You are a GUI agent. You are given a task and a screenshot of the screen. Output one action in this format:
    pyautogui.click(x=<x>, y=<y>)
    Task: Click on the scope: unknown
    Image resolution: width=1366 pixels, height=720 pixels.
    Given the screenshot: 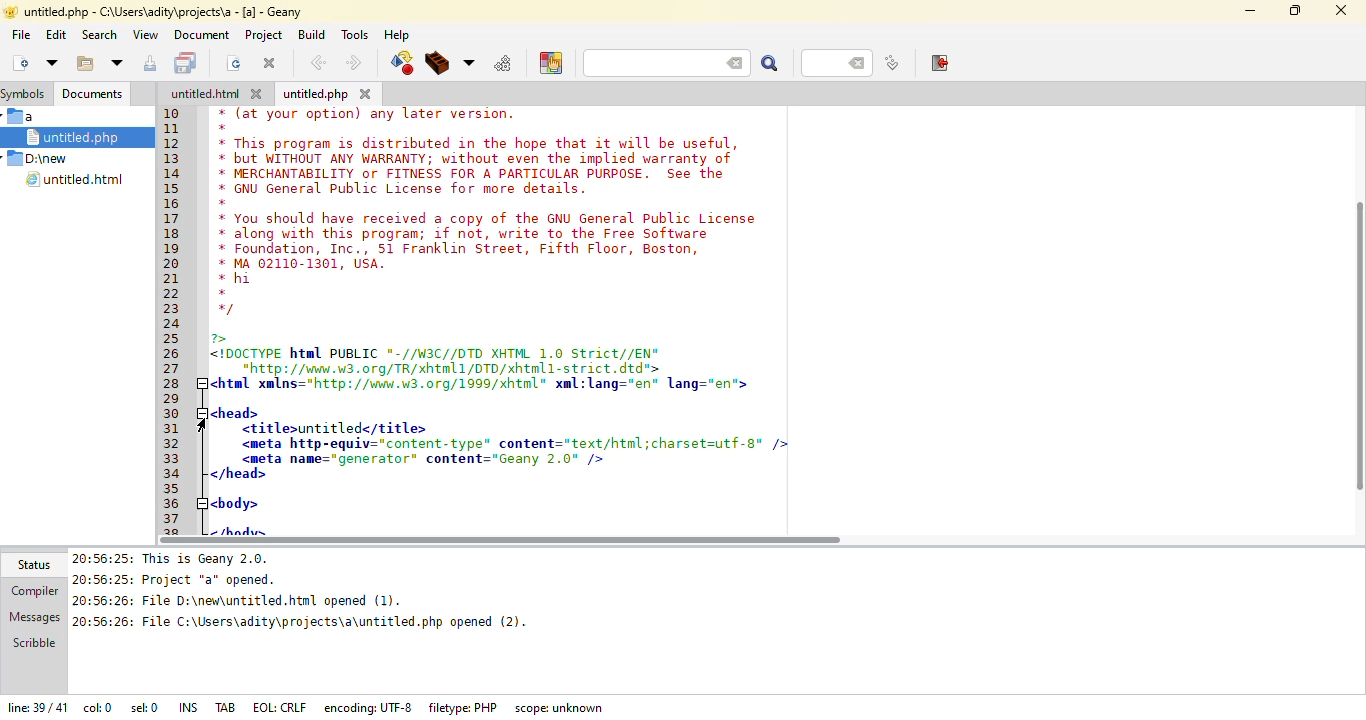 What is the action you would take?
    pyautogui.click(x=565, y=709)
    